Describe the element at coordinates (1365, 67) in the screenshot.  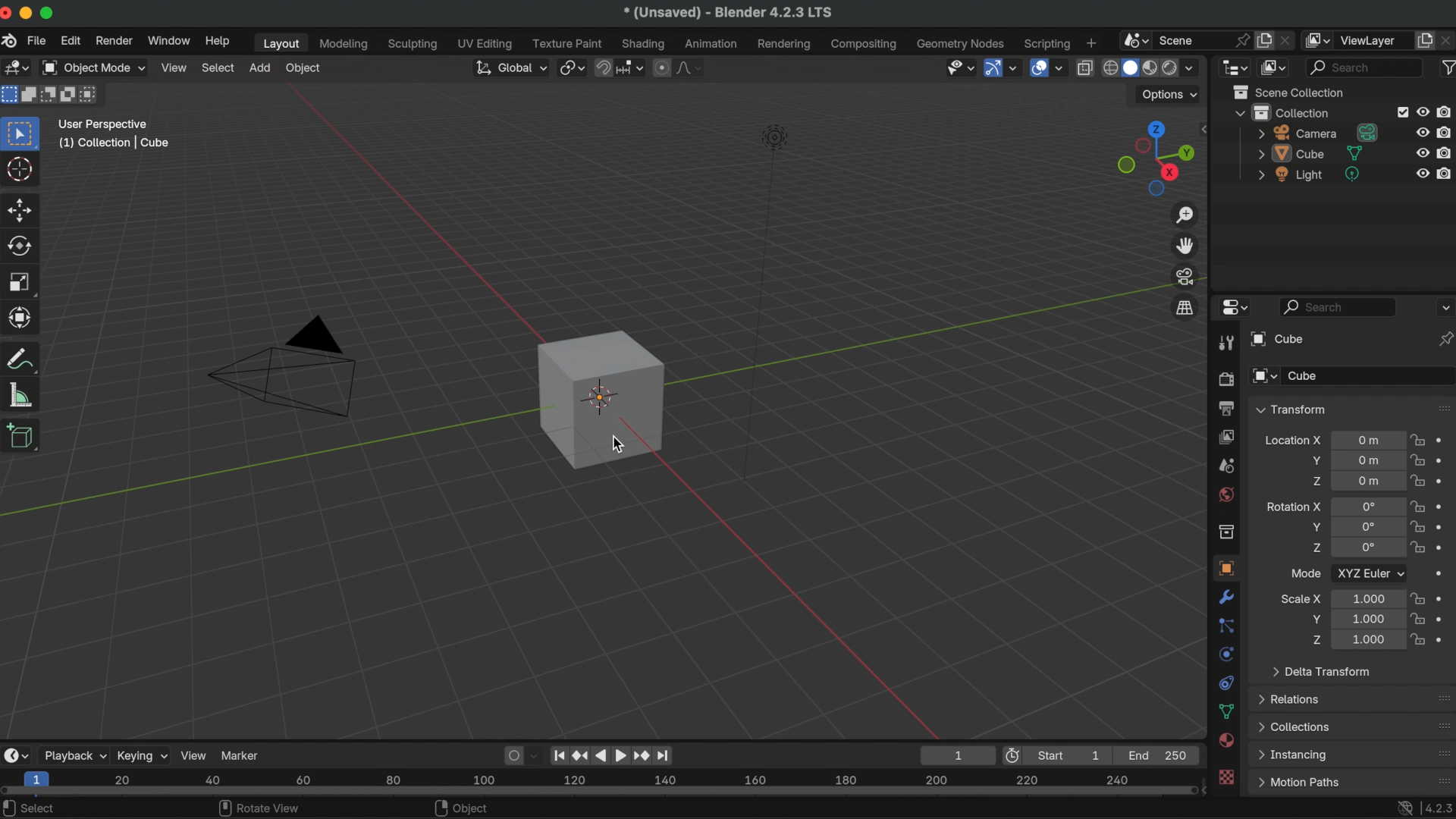
I see `display filter` at that location.